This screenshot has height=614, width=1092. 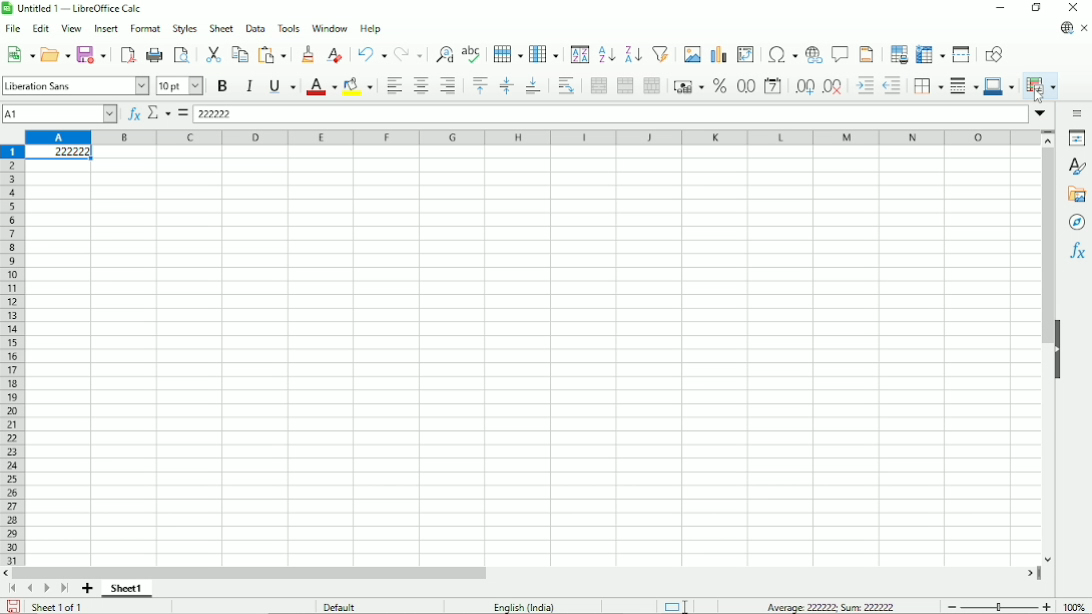 I want to click on Row, so click(x=507, y=52).